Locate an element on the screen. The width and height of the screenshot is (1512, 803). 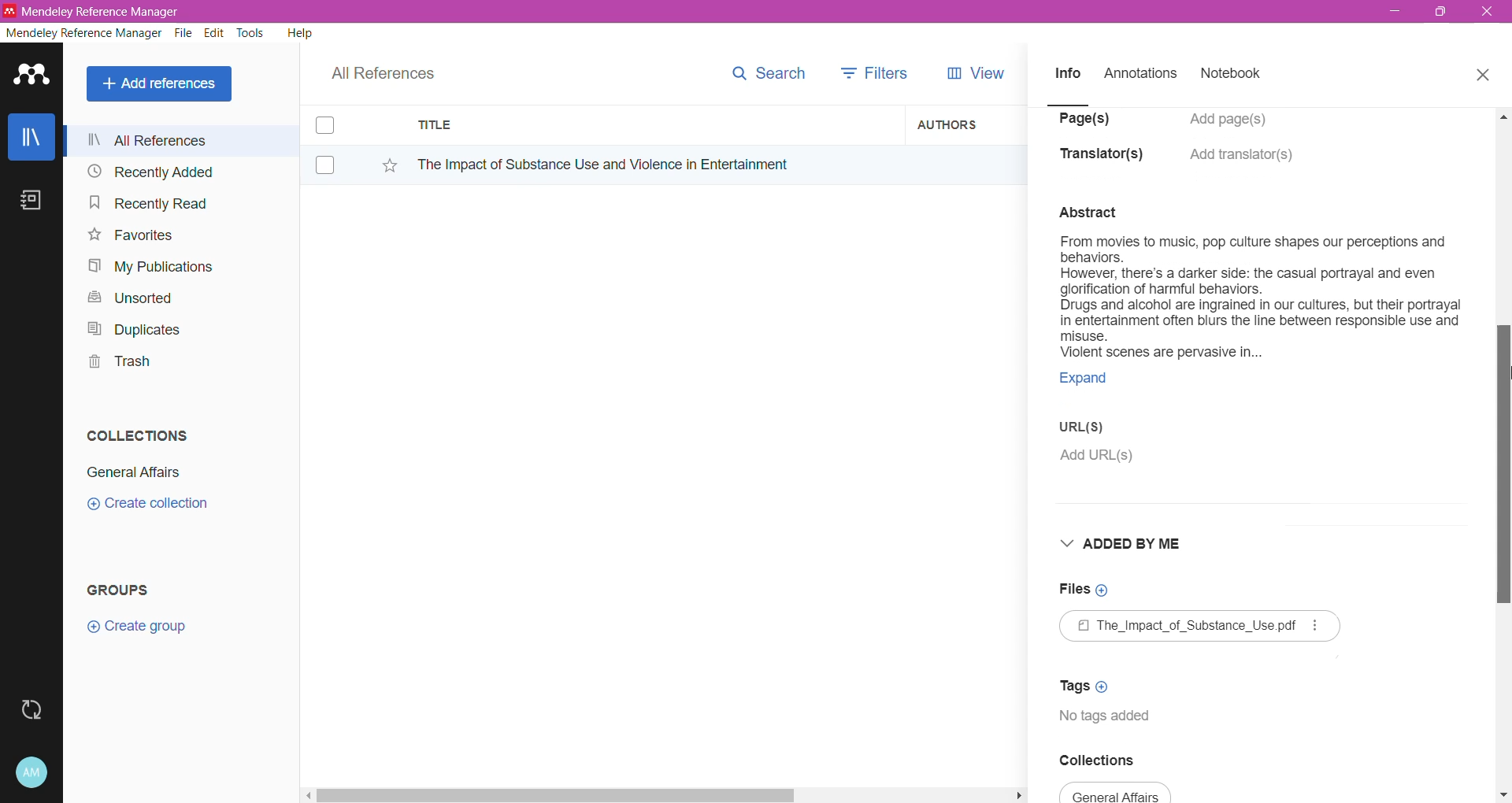
Collection Name is located at coordinates (131, 472).